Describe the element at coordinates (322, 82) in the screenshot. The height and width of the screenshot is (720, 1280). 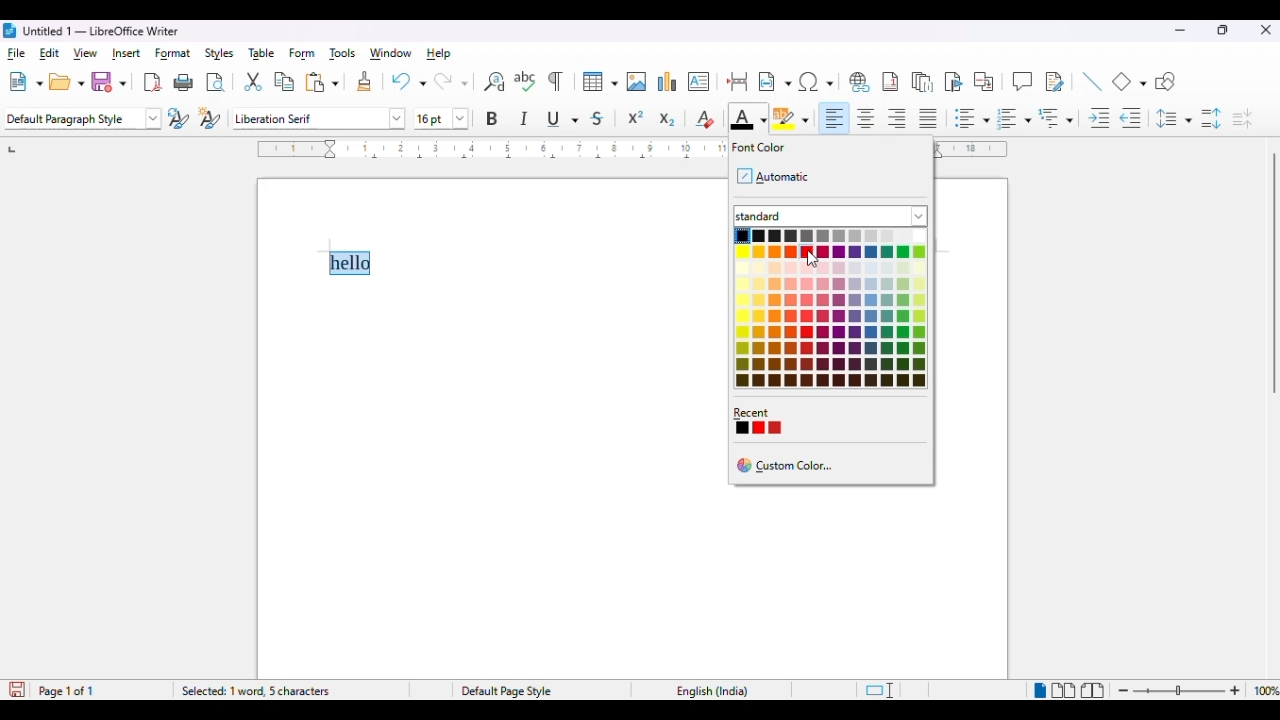
I see `paste` at that location.